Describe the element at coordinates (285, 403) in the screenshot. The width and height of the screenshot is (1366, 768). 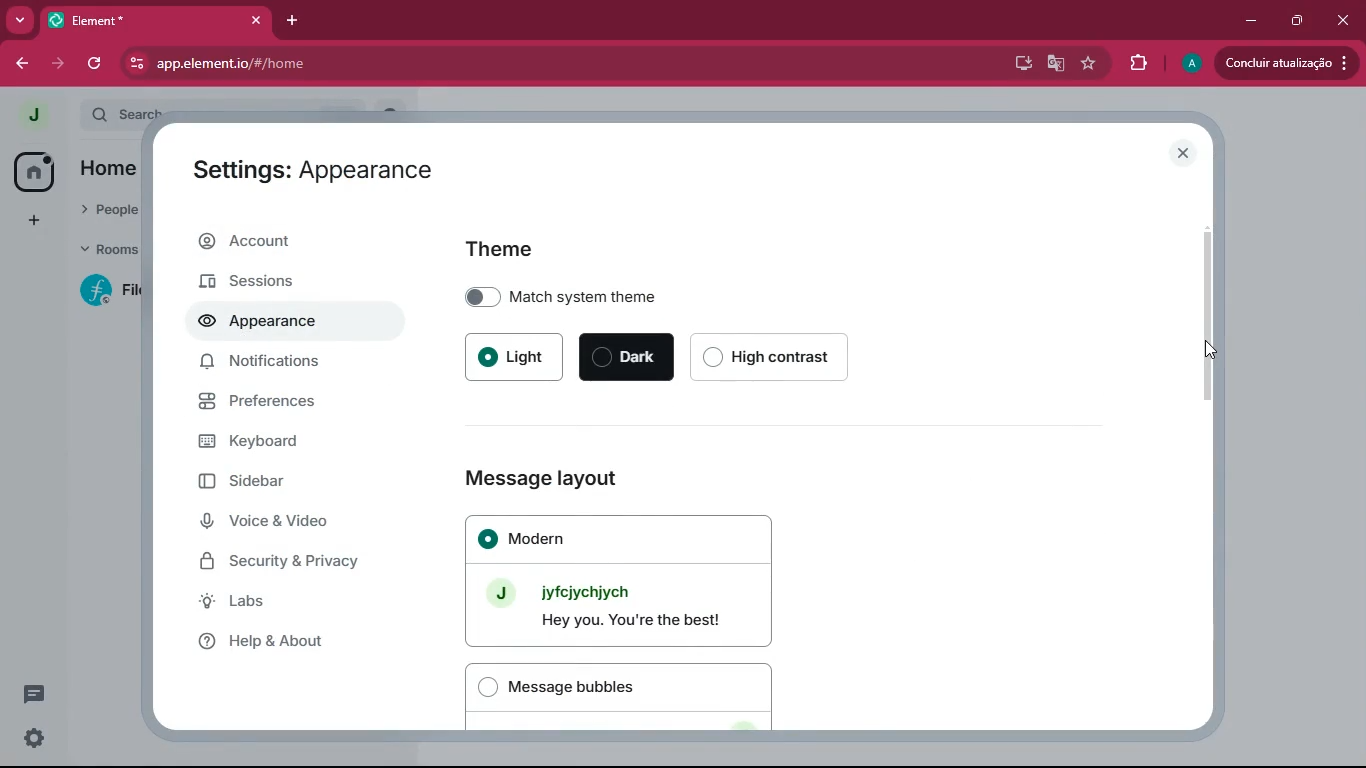
I see `preferences` at that location.